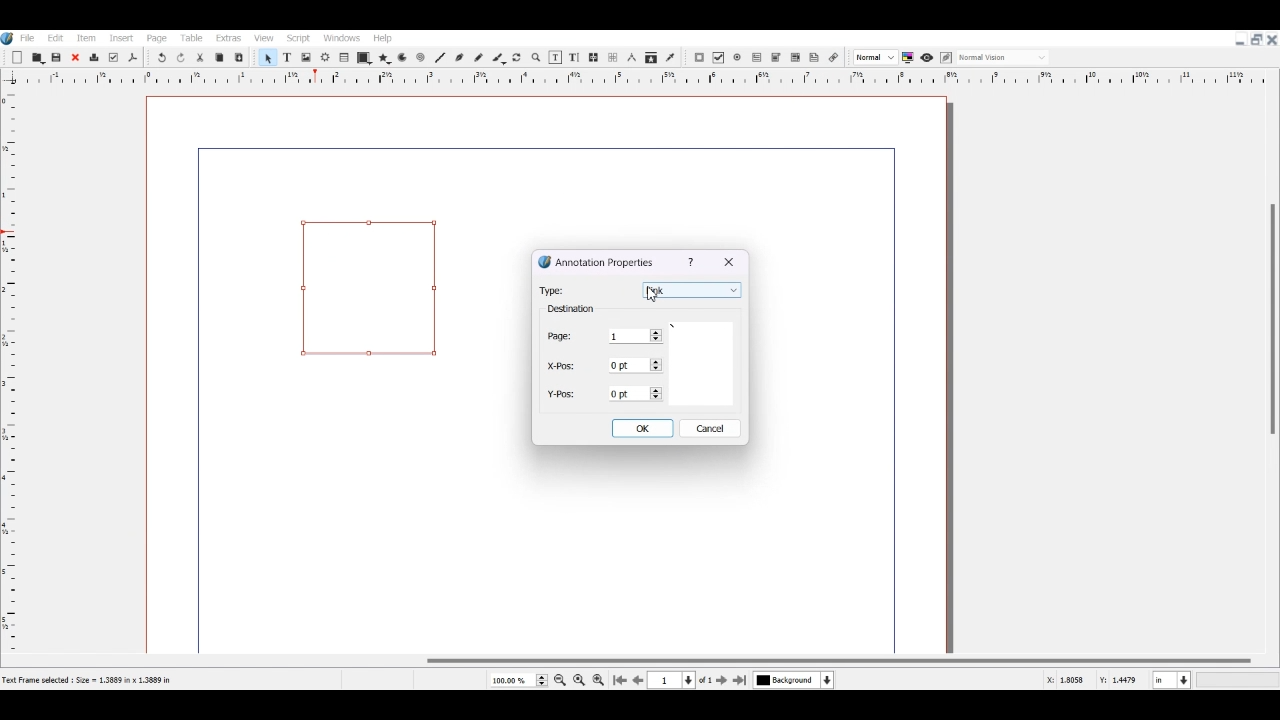  Describe the element at coordinates (113, 58) in the screenshot. I see `Preflight verifier` at that location.